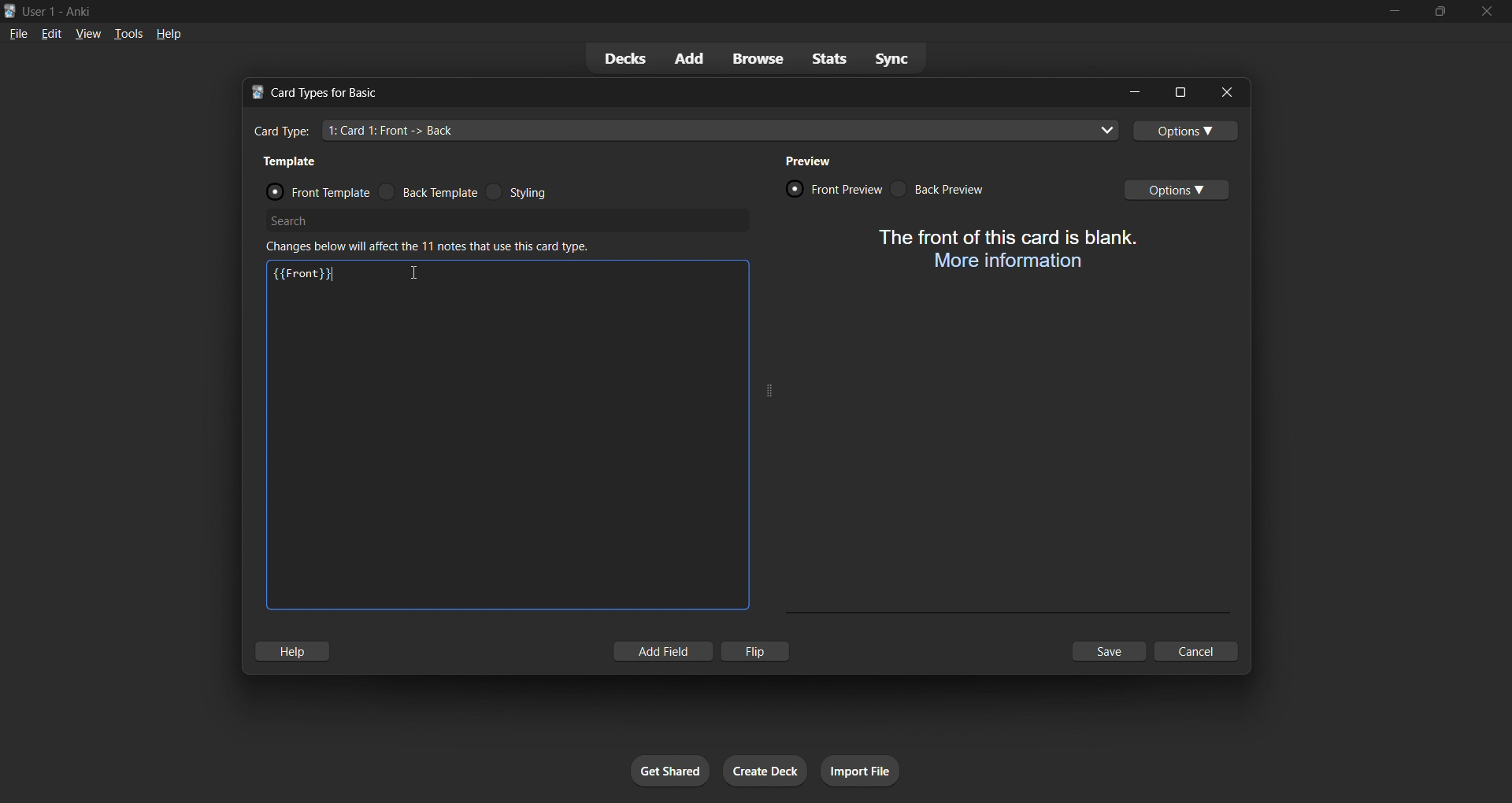  I want to click on {{Font}, so click(293, 273).